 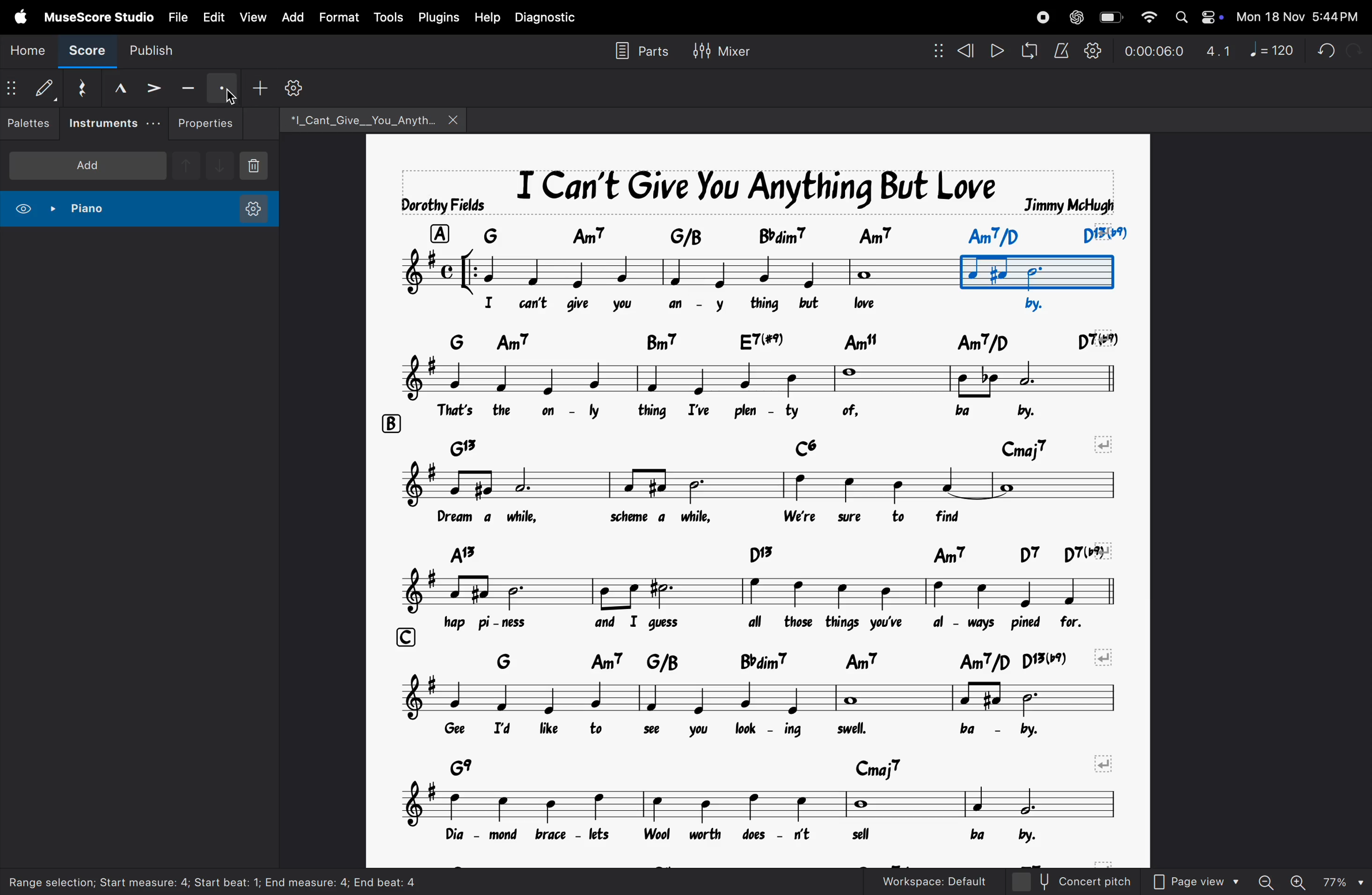 What do you see at coordinates (1195, 882) in the screenshot?
I see `page view` at bounding box center [1195, 882].